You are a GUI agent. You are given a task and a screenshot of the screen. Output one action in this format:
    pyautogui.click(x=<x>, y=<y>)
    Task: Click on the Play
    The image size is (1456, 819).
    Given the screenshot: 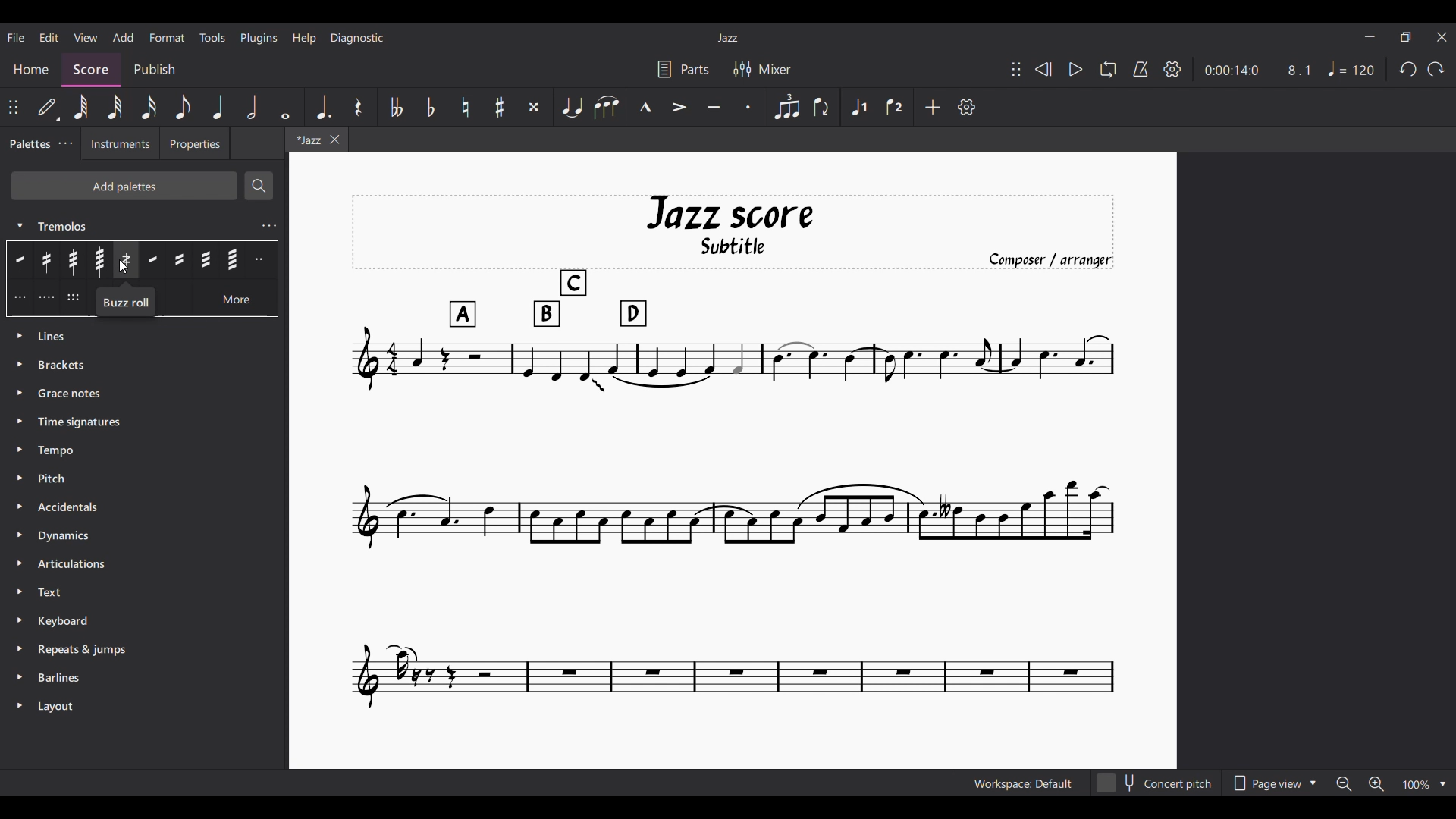 What is the action you would take?
    pyautogui.click(x=1076, y=69)
    